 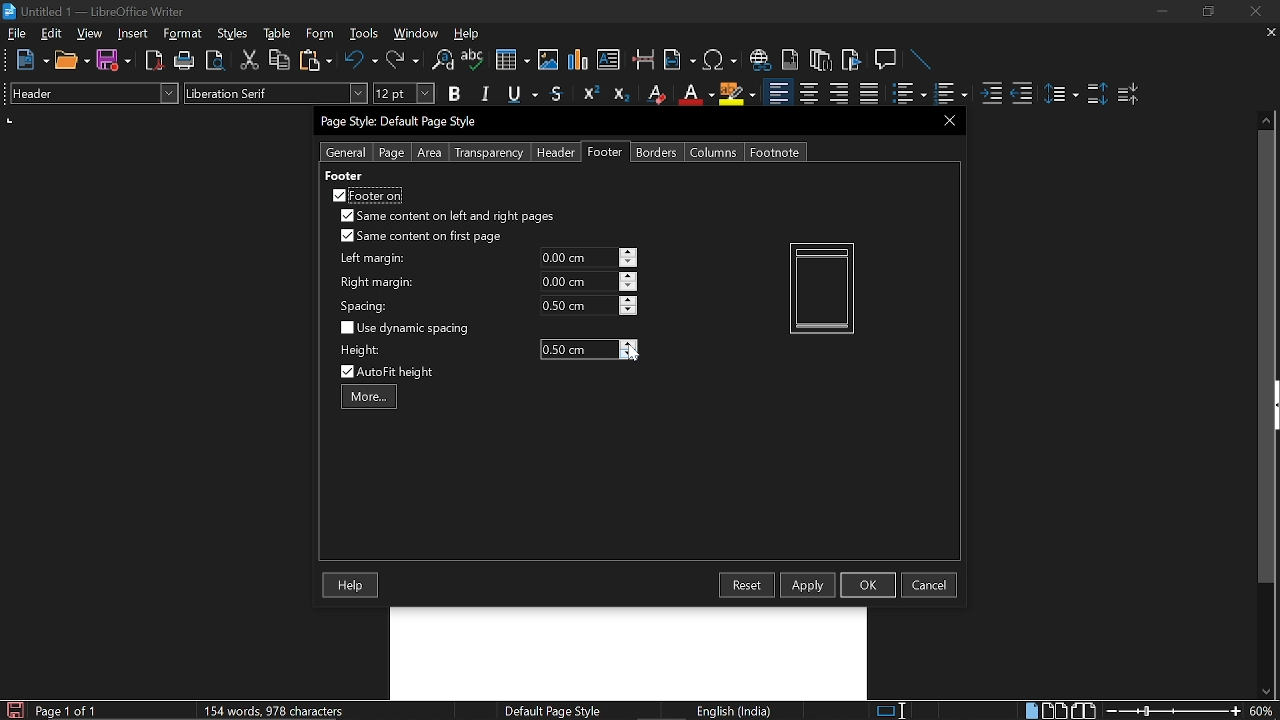 What do you see at coordinates (895, 711) in the screenshot?
I see `Standard seleciton` at bounding box center [895, 711].